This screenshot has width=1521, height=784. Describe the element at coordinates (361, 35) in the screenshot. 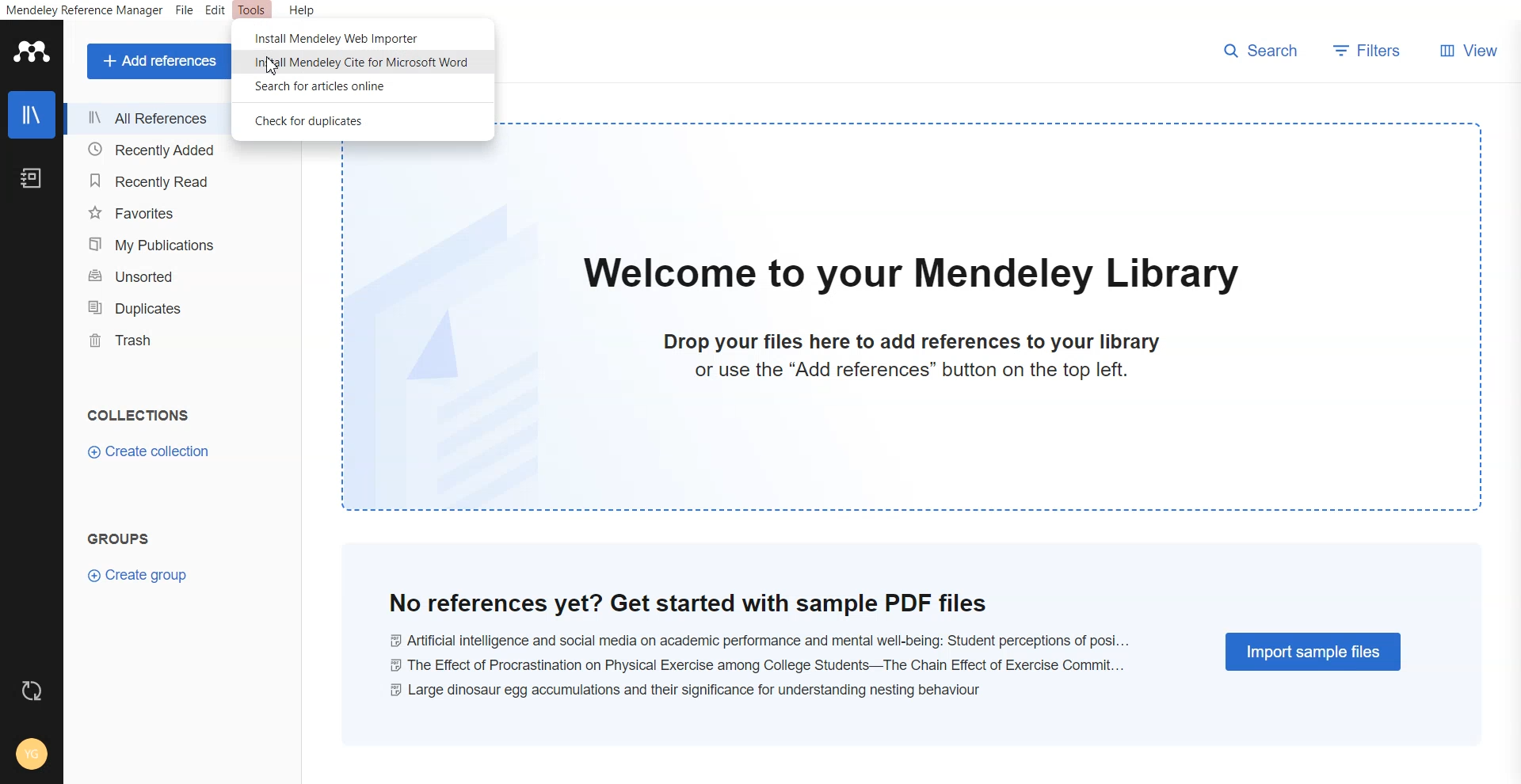

I see `Install Mendeley web Importer` at that location.